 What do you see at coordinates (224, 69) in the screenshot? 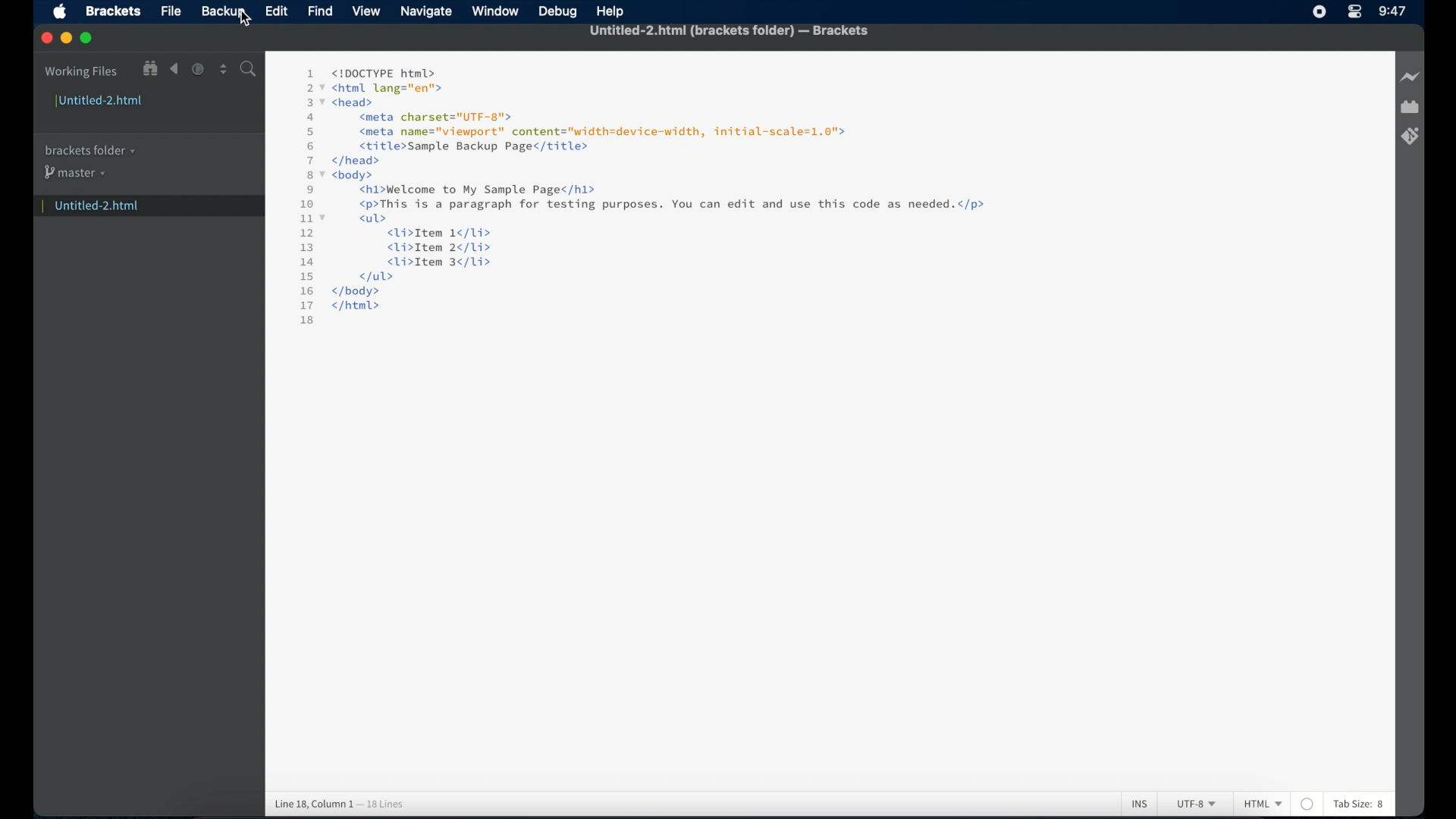
I see `split editor vertical or horizontal` at bounding box center [224, 69].